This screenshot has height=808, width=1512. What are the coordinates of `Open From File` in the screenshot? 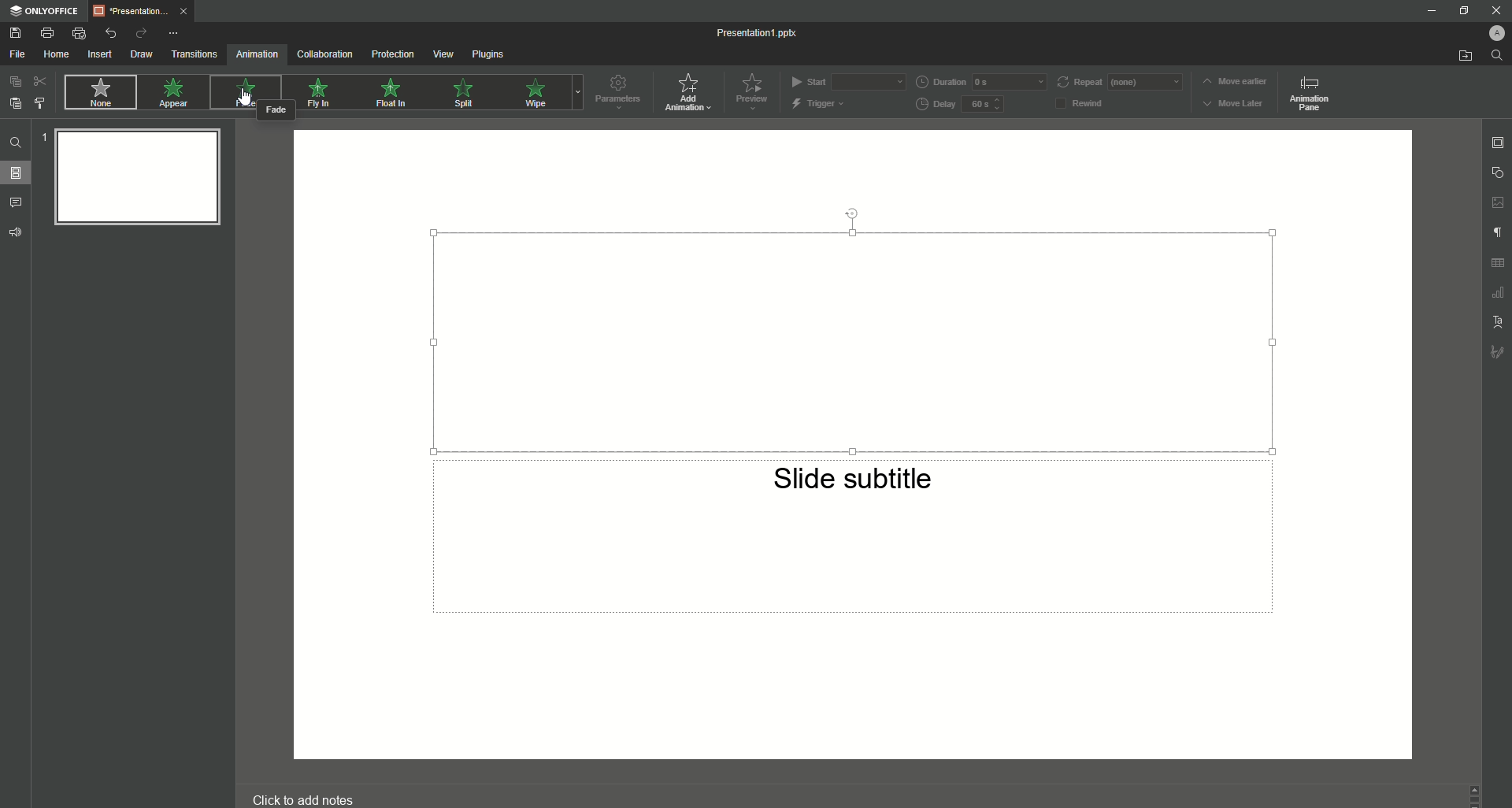 It's located at (1457, 56).